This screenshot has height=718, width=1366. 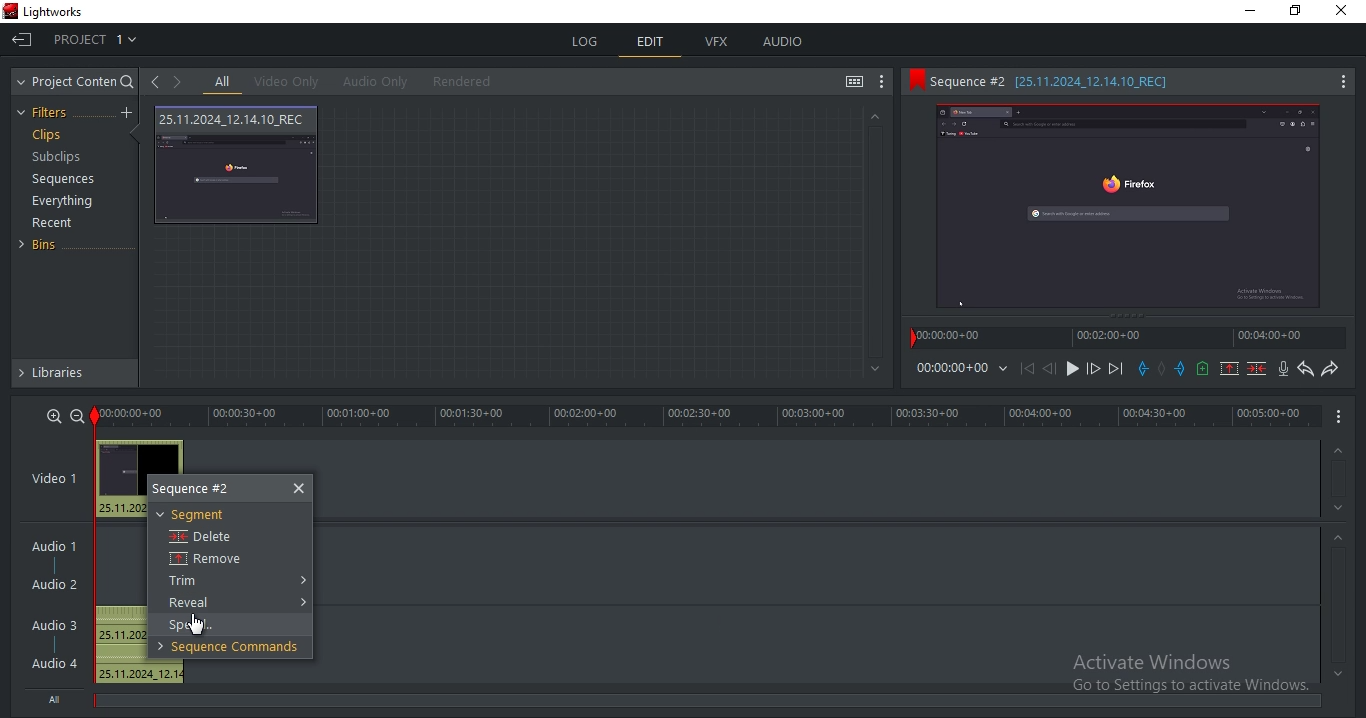 What do you see at coordinates (194, 515) in the screenshot?
I see `segment` at bounding box center [194, 515].